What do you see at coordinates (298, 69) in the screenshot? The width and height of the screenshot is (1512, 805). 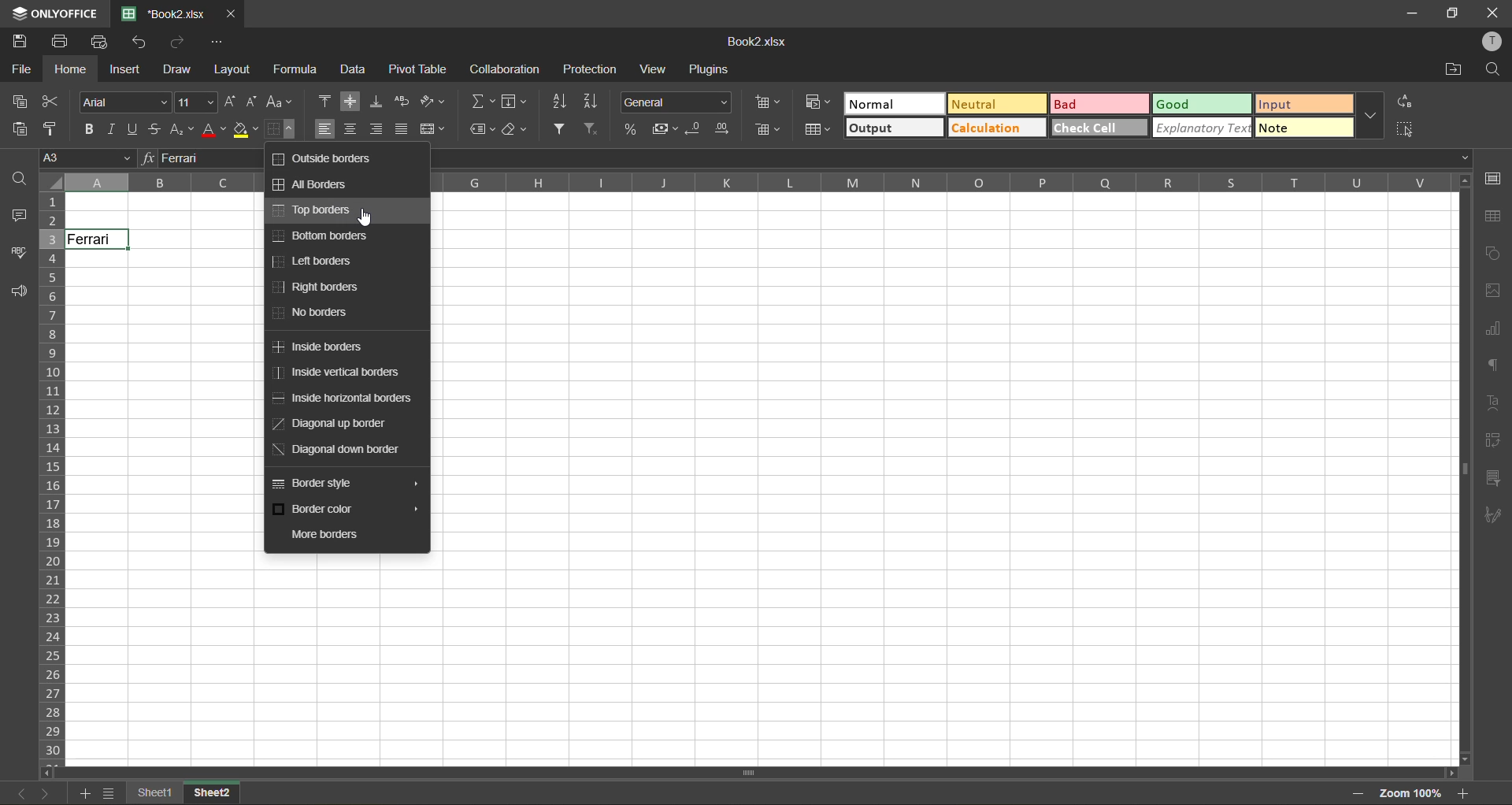 I see `formula` at bounding box center [298, 69].